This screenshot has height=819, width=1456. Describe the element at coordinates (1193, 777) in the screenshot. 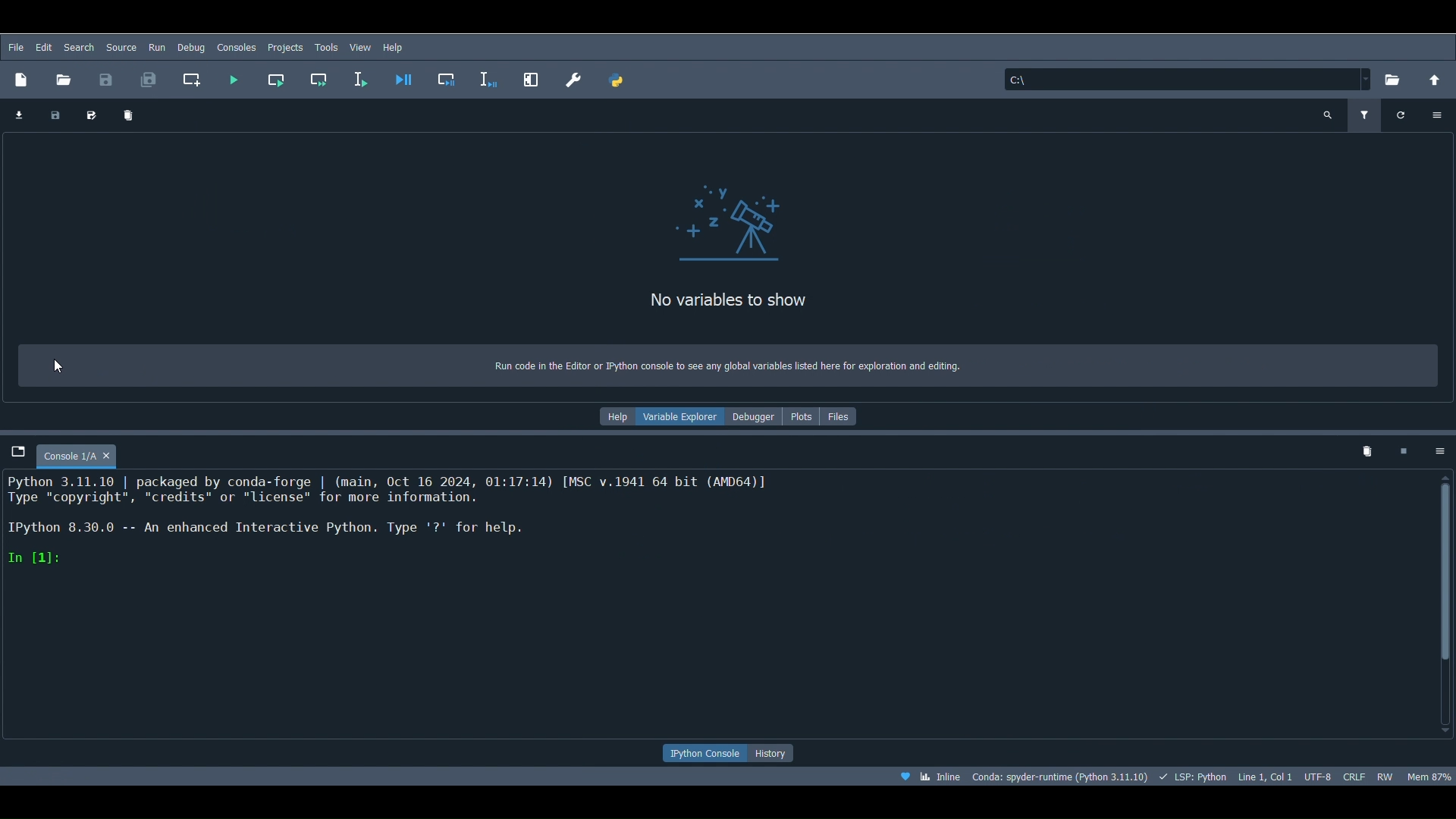

I see `Completions, linting, code folding and symbols status` at that location.